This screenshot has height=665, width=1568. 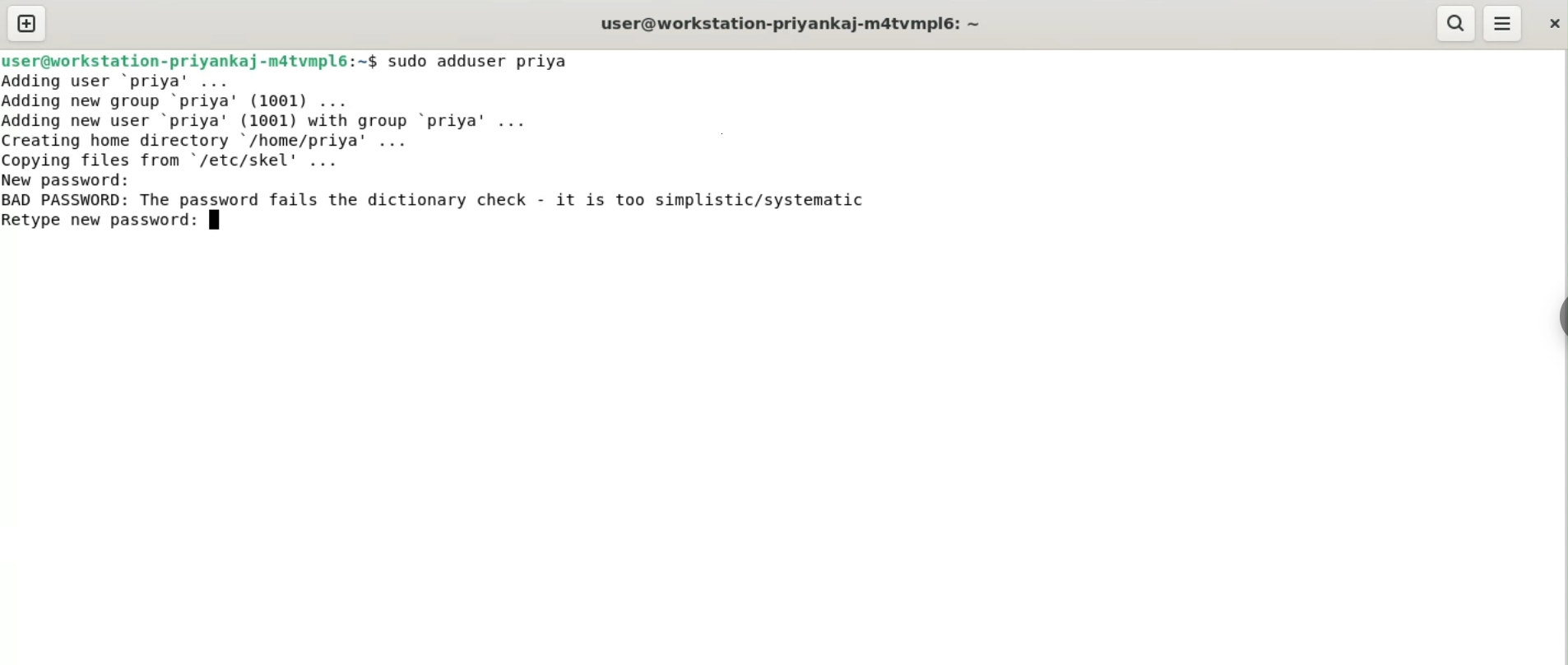 What do you see at coordinates (27, 23) in the screenshot?
I see `new tab` at bounding box center [27, 23].